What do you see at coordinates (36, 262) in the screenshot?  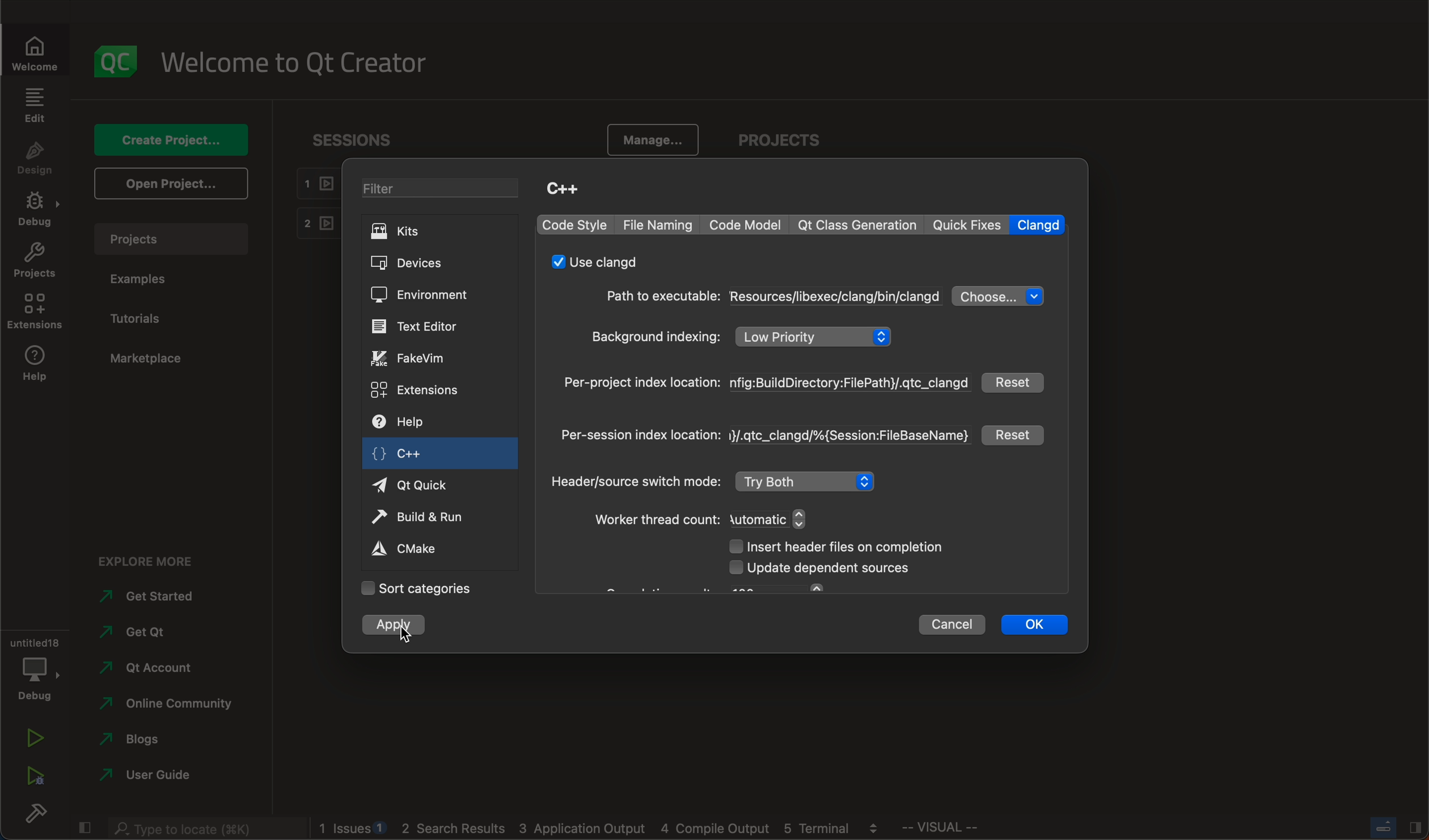 I see `projects` at bounding box center [36, 262].